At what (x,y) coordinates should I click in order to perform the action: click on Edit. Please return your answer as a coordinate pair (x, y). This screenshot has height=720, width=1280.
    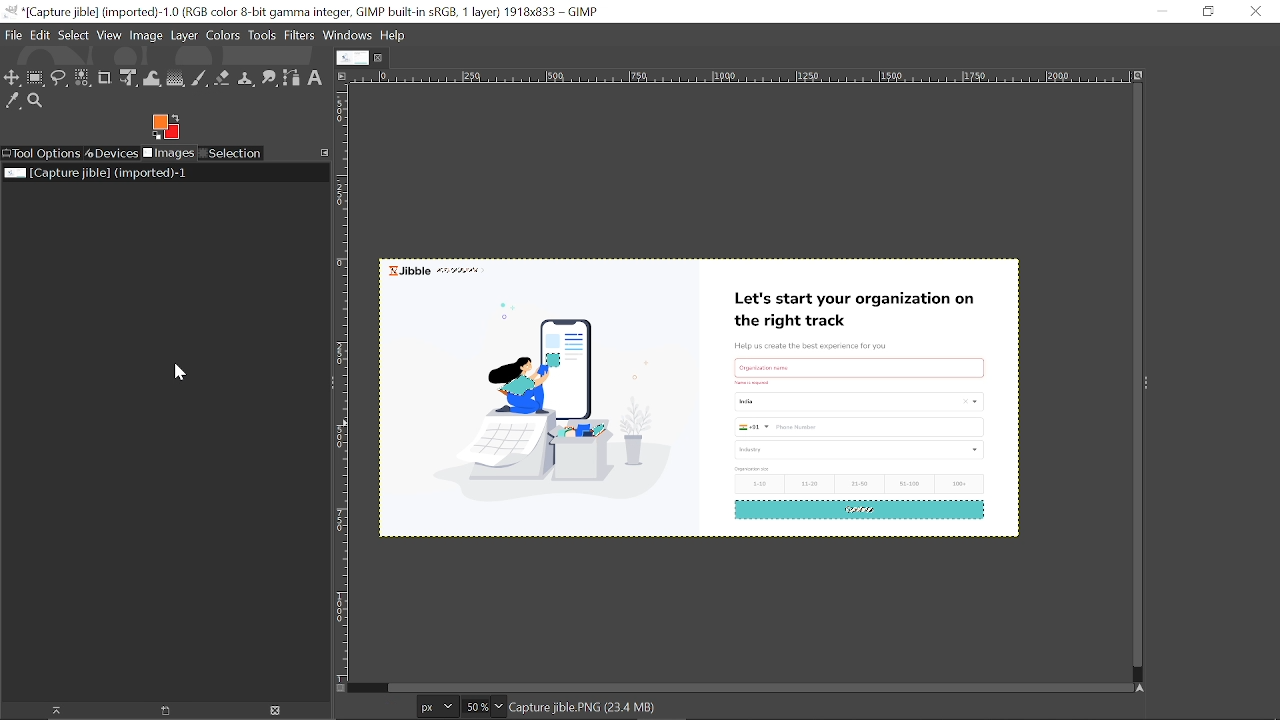
    Looking at the image, I should click on (41, 34).